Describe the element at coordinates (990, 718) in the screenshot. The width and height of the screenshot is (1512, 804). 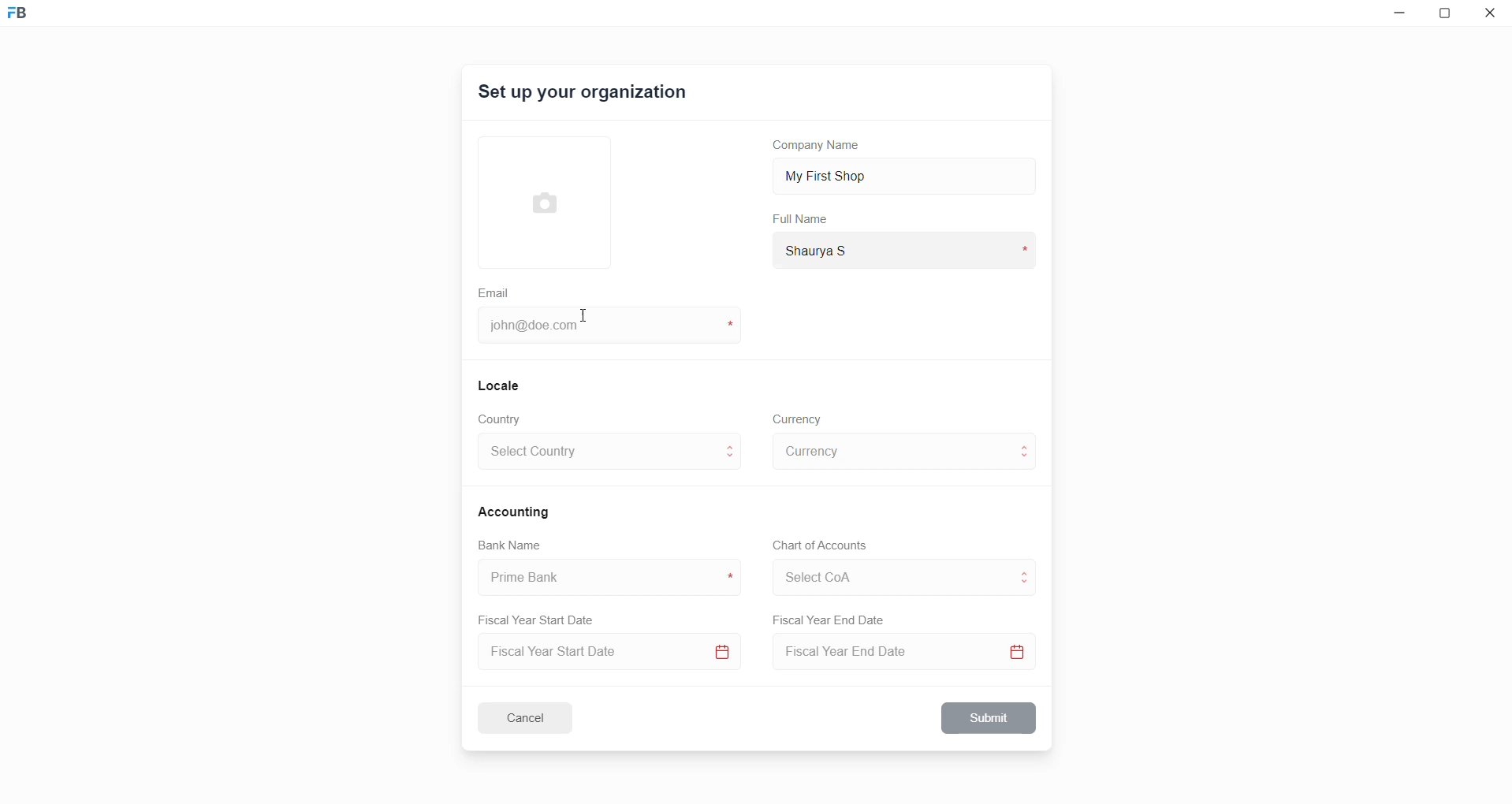
I see `Submit ` at that location.